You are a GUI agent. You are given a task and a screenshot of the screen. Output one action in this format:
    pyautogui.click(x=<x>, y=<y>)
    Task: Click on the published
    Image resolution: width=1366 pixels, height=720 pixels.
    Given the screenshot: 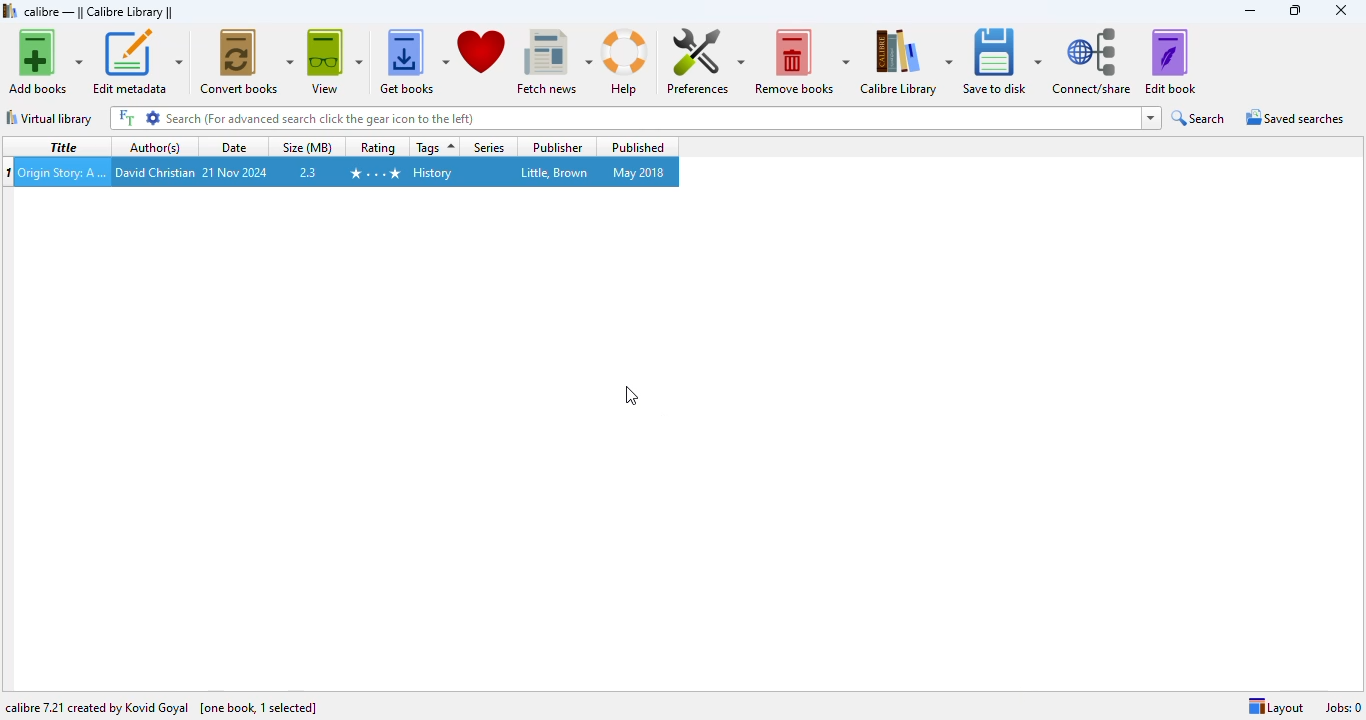 What is the action you would take?
    pyautogui.click(x=638, y=147)
    